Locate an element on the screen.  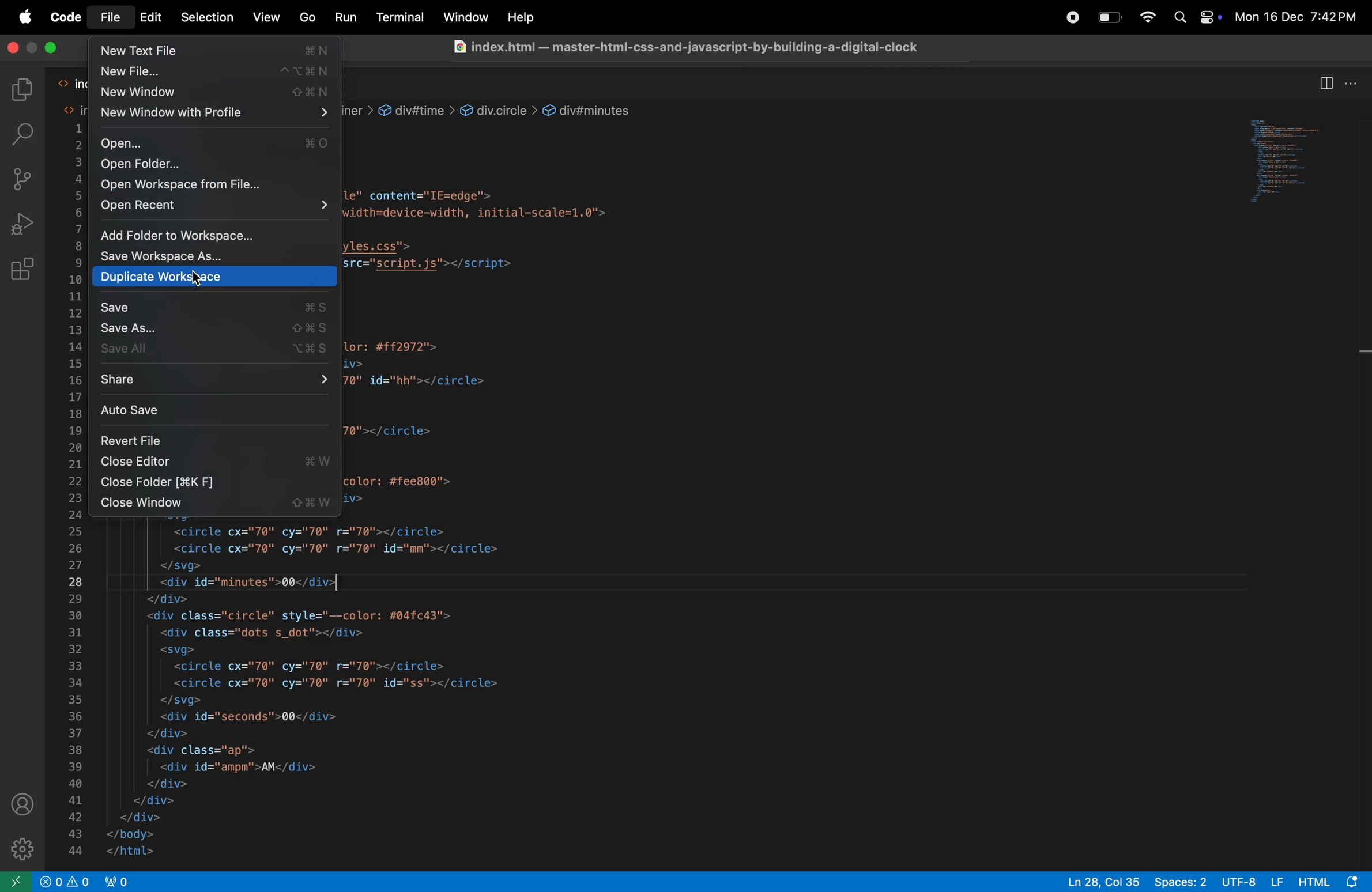
cursor is located at coordinates (198, 279).